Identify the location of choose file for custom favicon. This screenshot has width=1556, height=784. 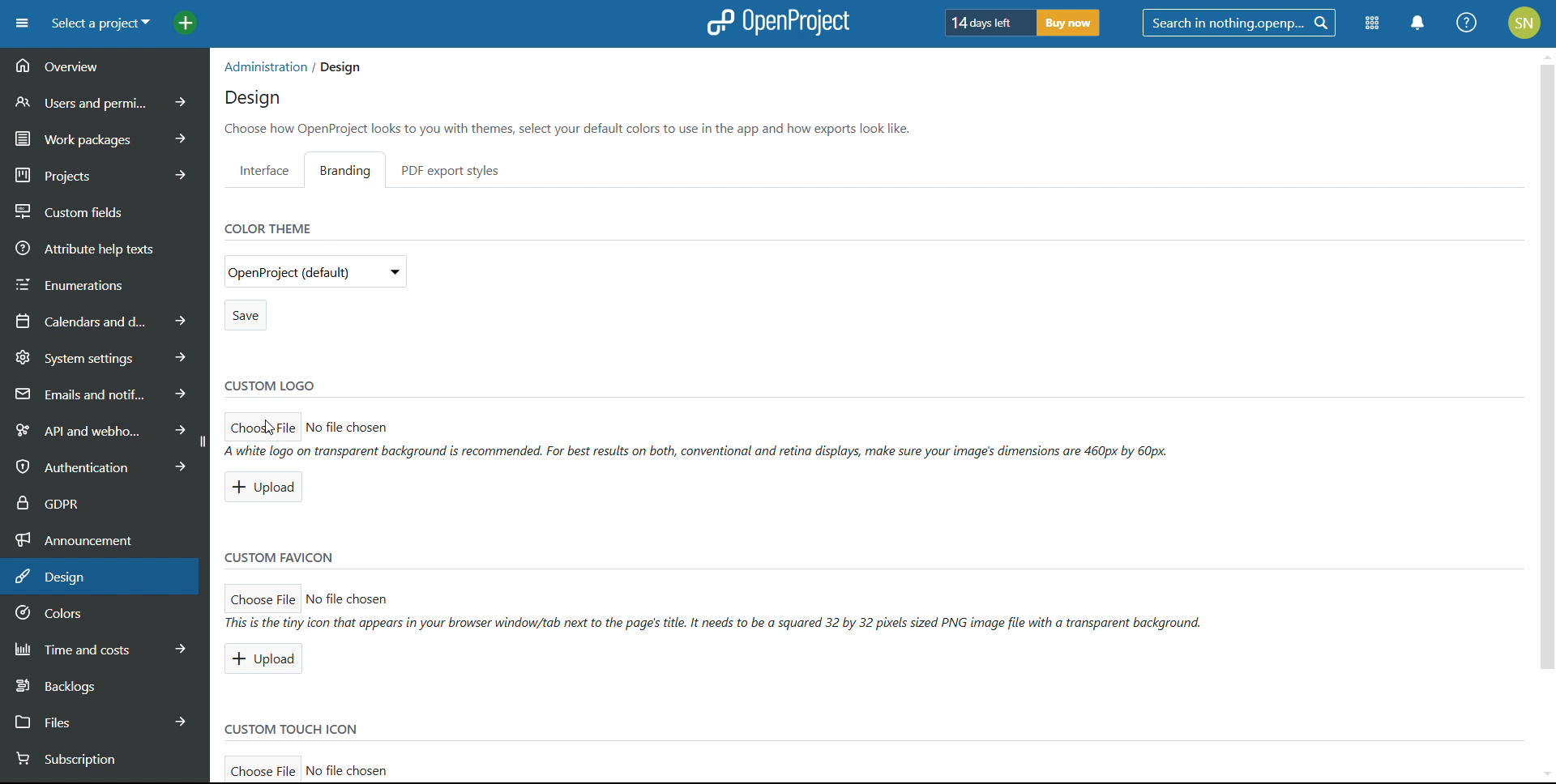
(261, 597).